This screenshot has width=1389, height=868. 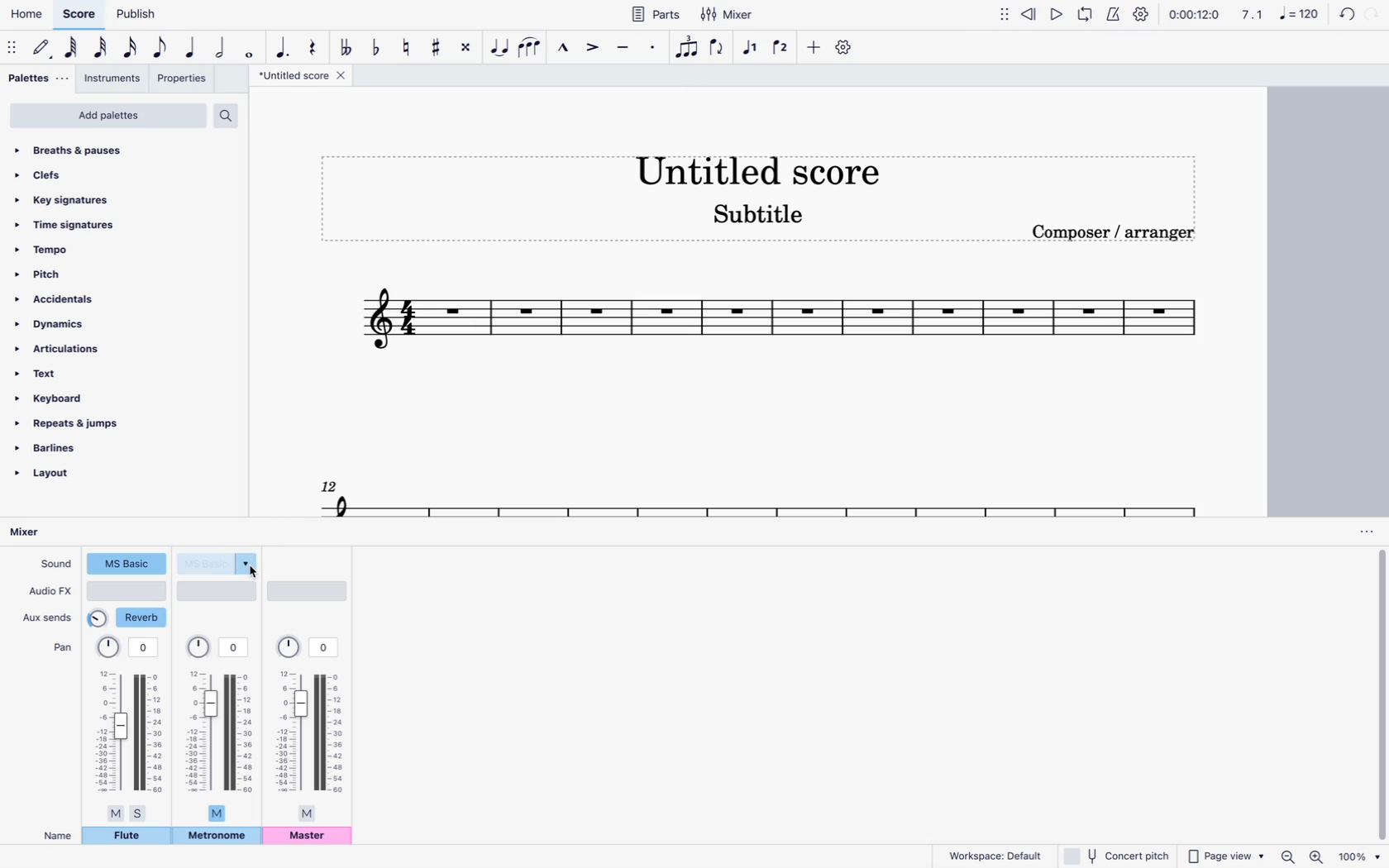 I want to click on eight note, so click(x=161, y=47).